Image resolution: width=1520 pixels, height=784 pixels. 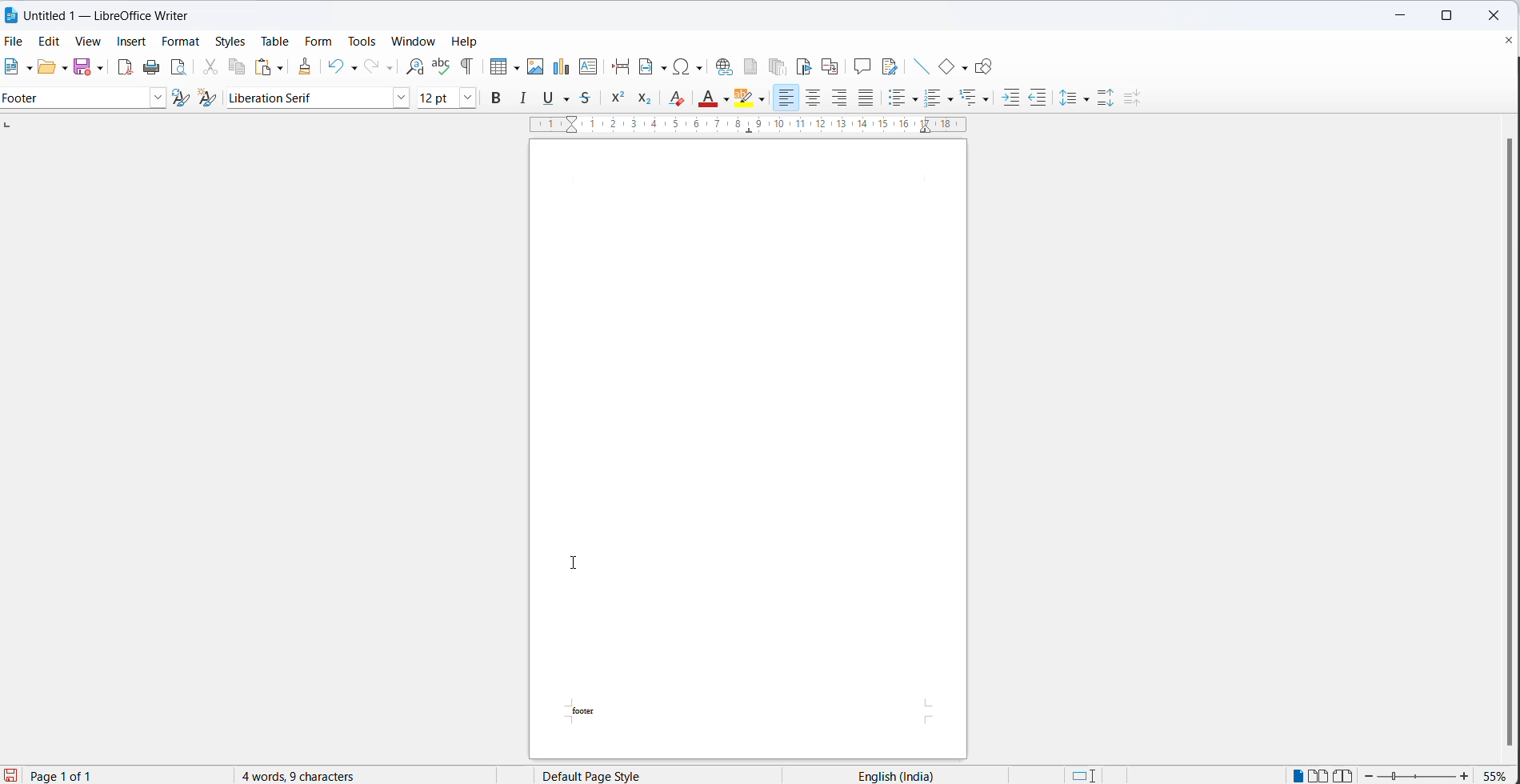 I want to click on font color, so click(x=708, y=101).